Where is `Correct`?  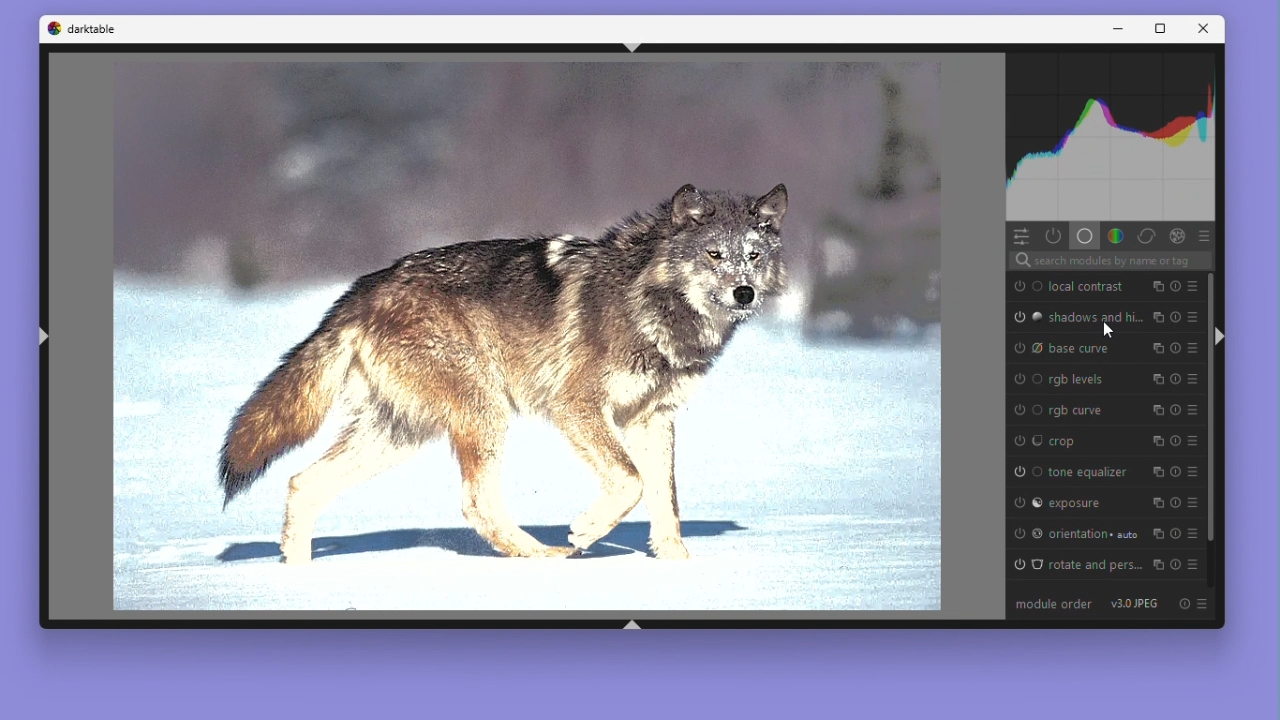
Correct is located at coordinates (1145, 236).